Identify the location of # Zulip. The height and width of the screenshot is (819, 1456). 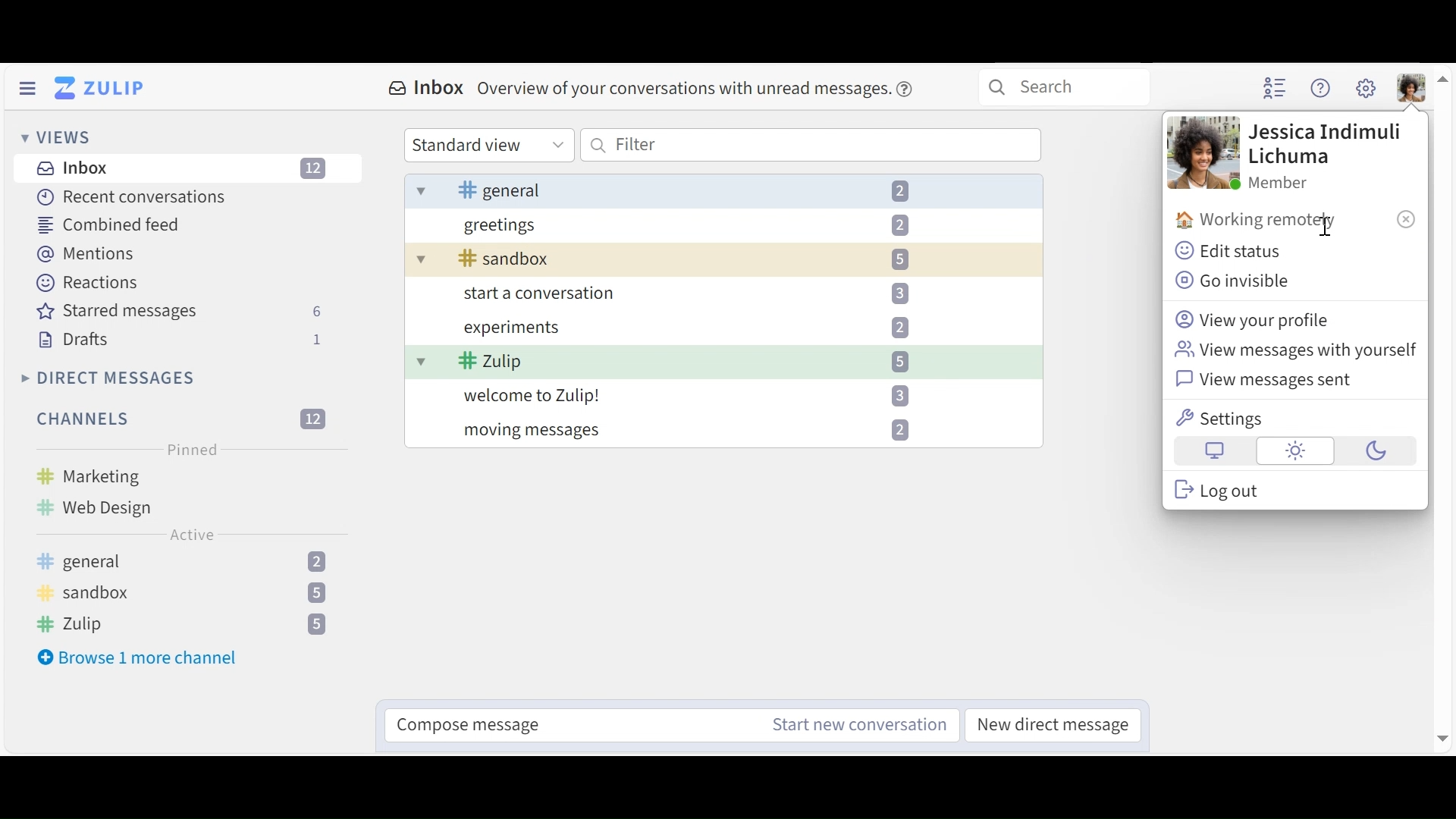
(187, 626).